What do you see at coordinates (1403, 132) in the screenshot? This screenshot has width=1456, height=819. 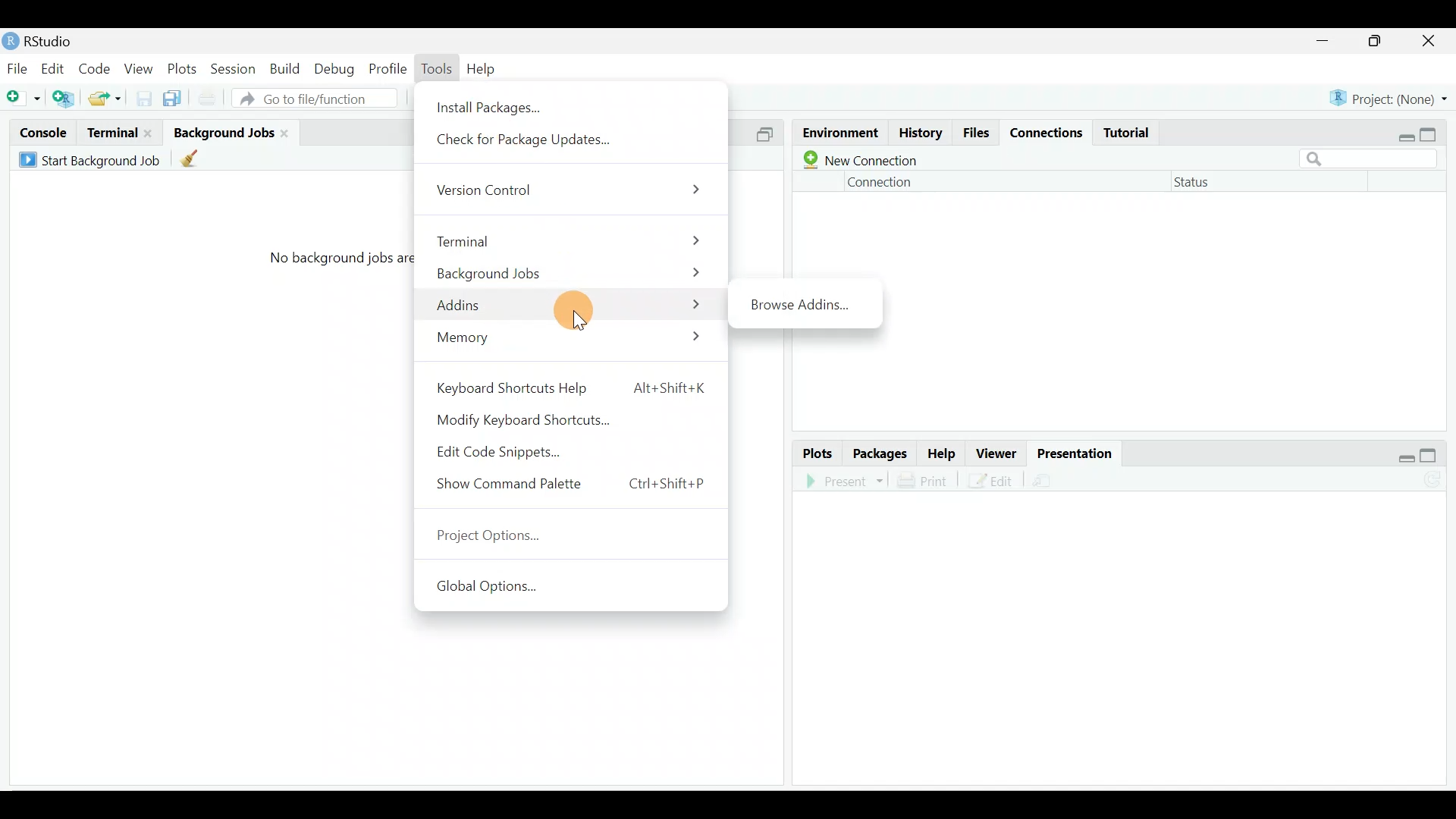 I see `restore down` at bounding box center [1403, 132].